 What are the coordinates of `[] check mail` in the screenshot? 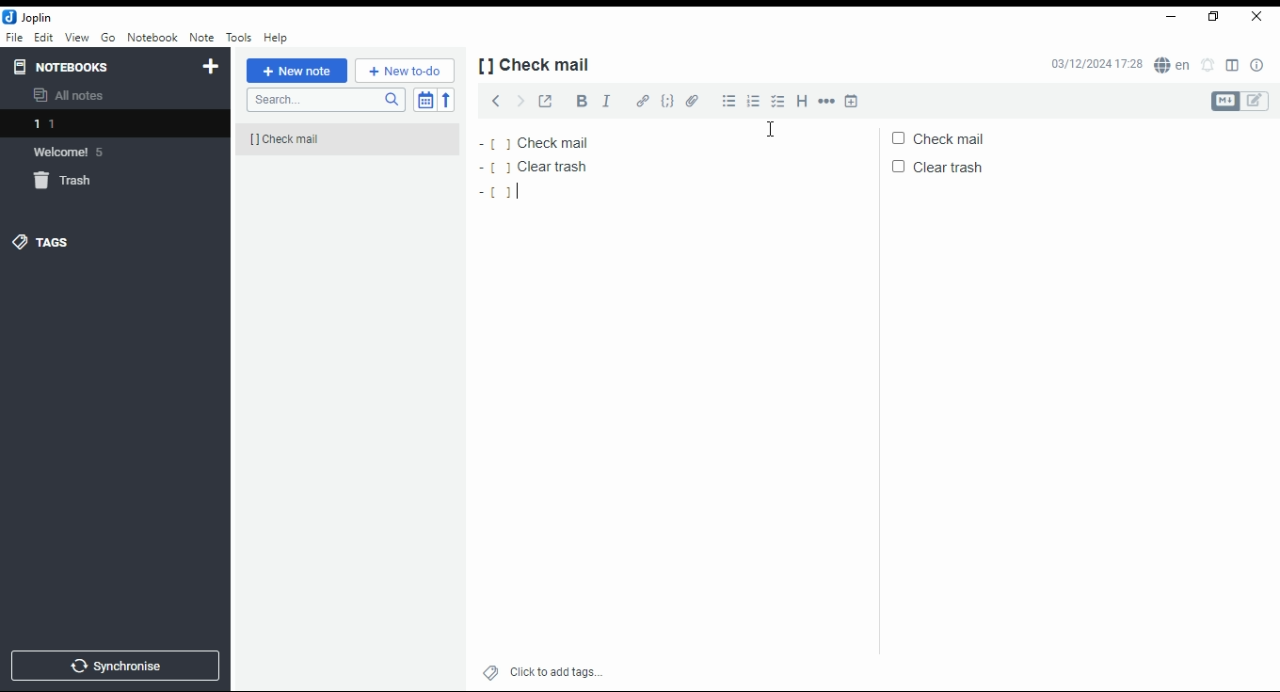 It's located at (541, 64).